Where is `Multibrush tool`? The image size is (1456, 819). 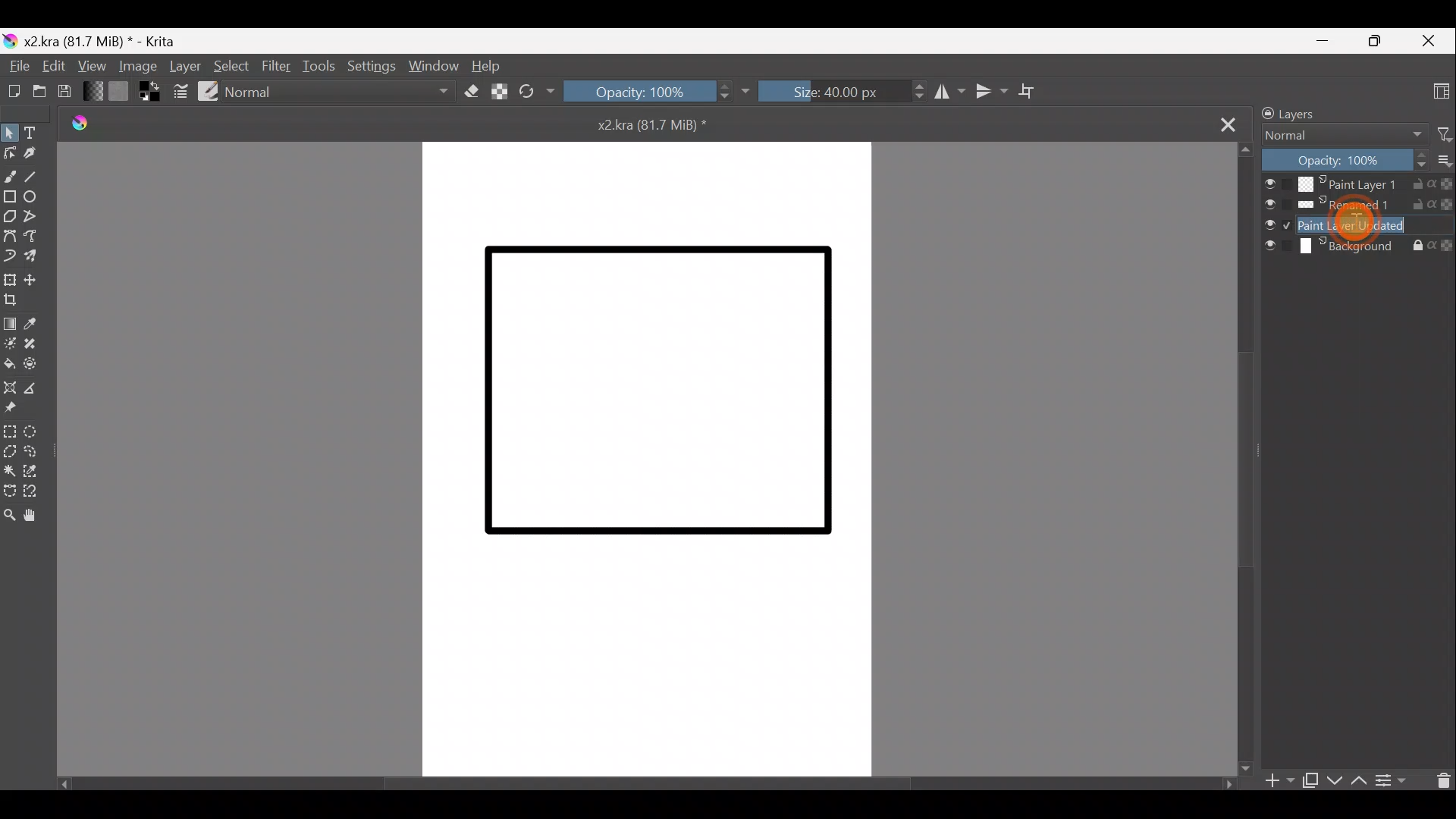 Multibrush tool is located at coordinates (38, 257).